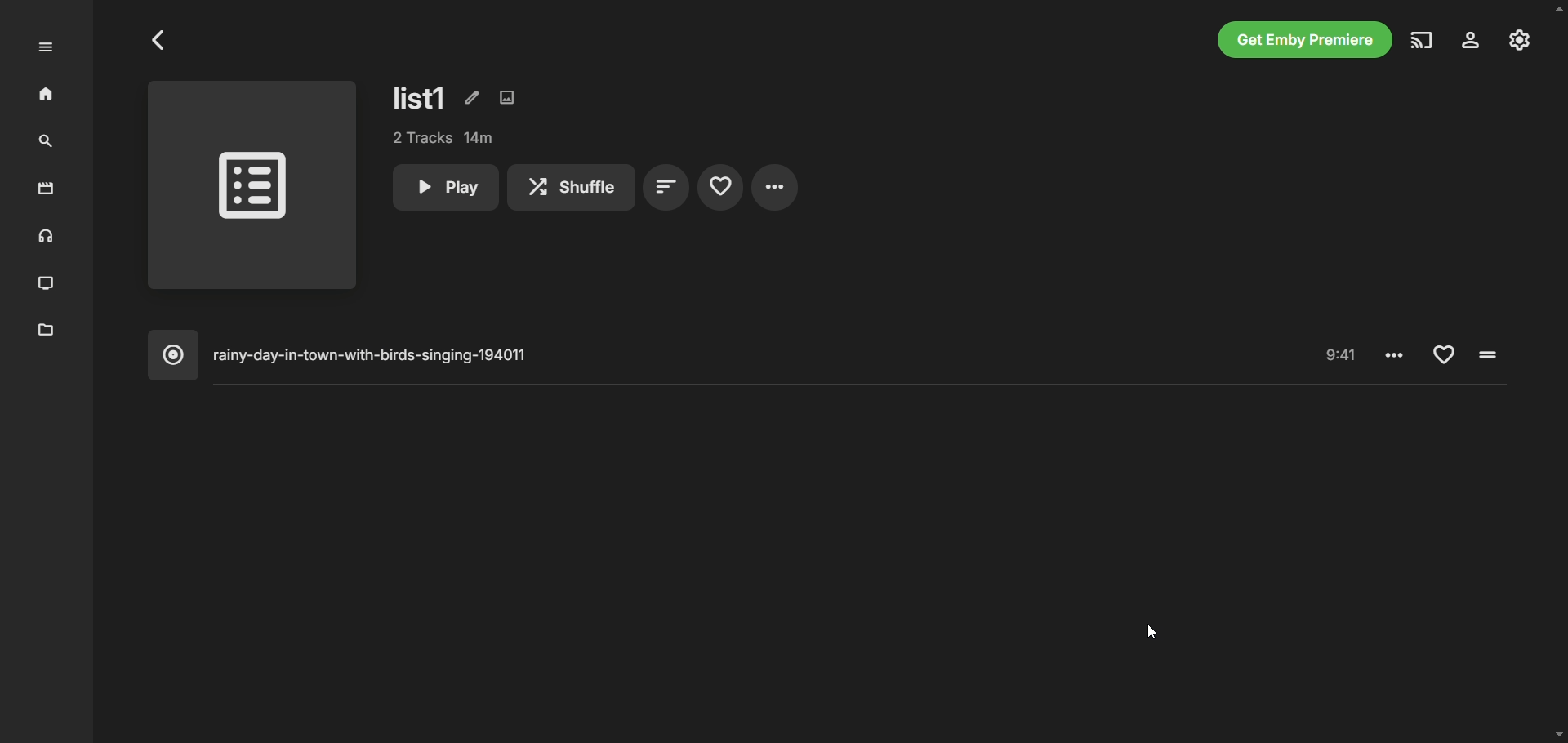  Describe the element at coordinates (666, 188) in the screenshot. I see `sort` at that location.